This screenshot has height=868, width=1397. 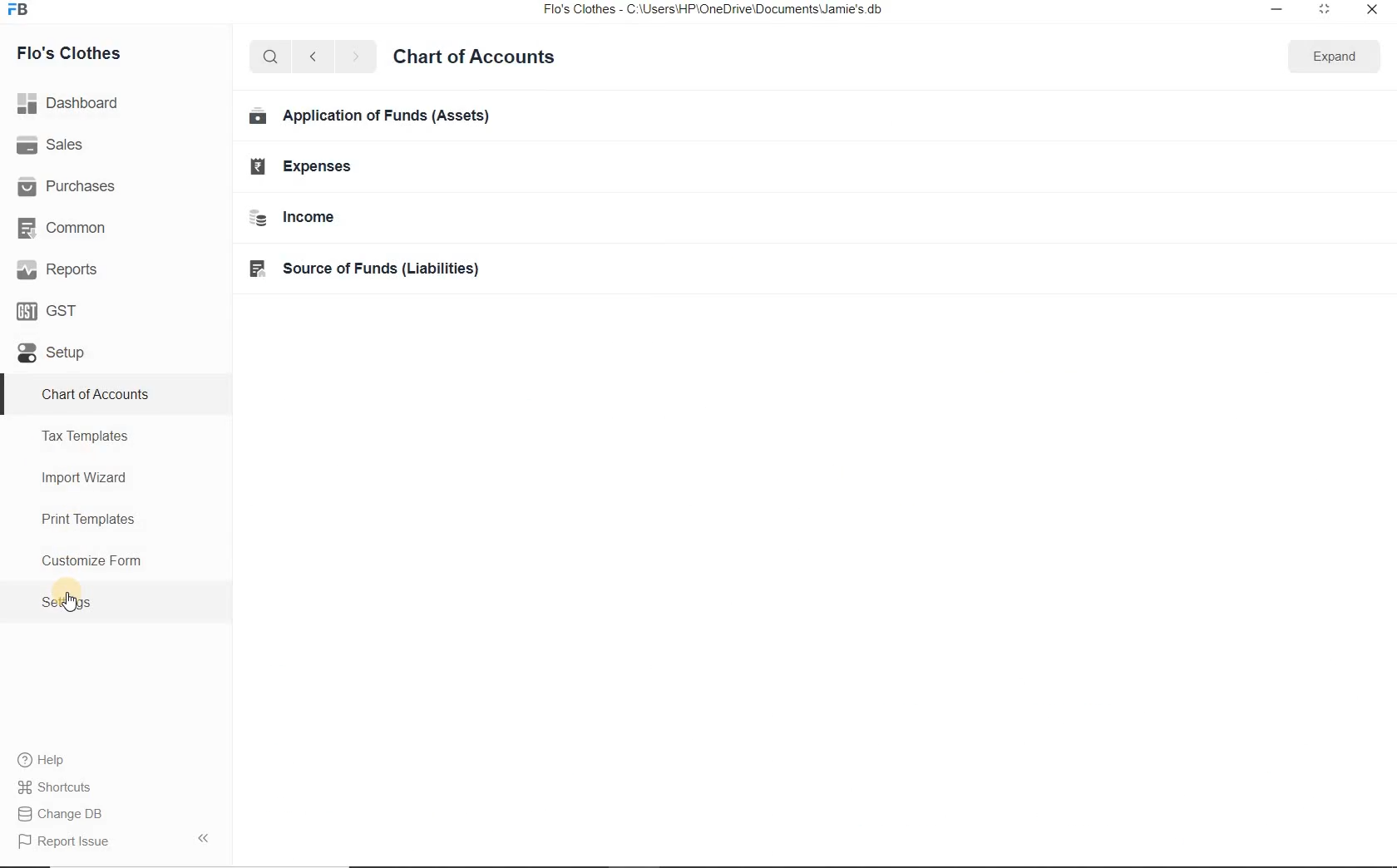 What do you see at coordinates (312, 56) in the screenshot?
I see `Back` at bounding box center [312, 56].